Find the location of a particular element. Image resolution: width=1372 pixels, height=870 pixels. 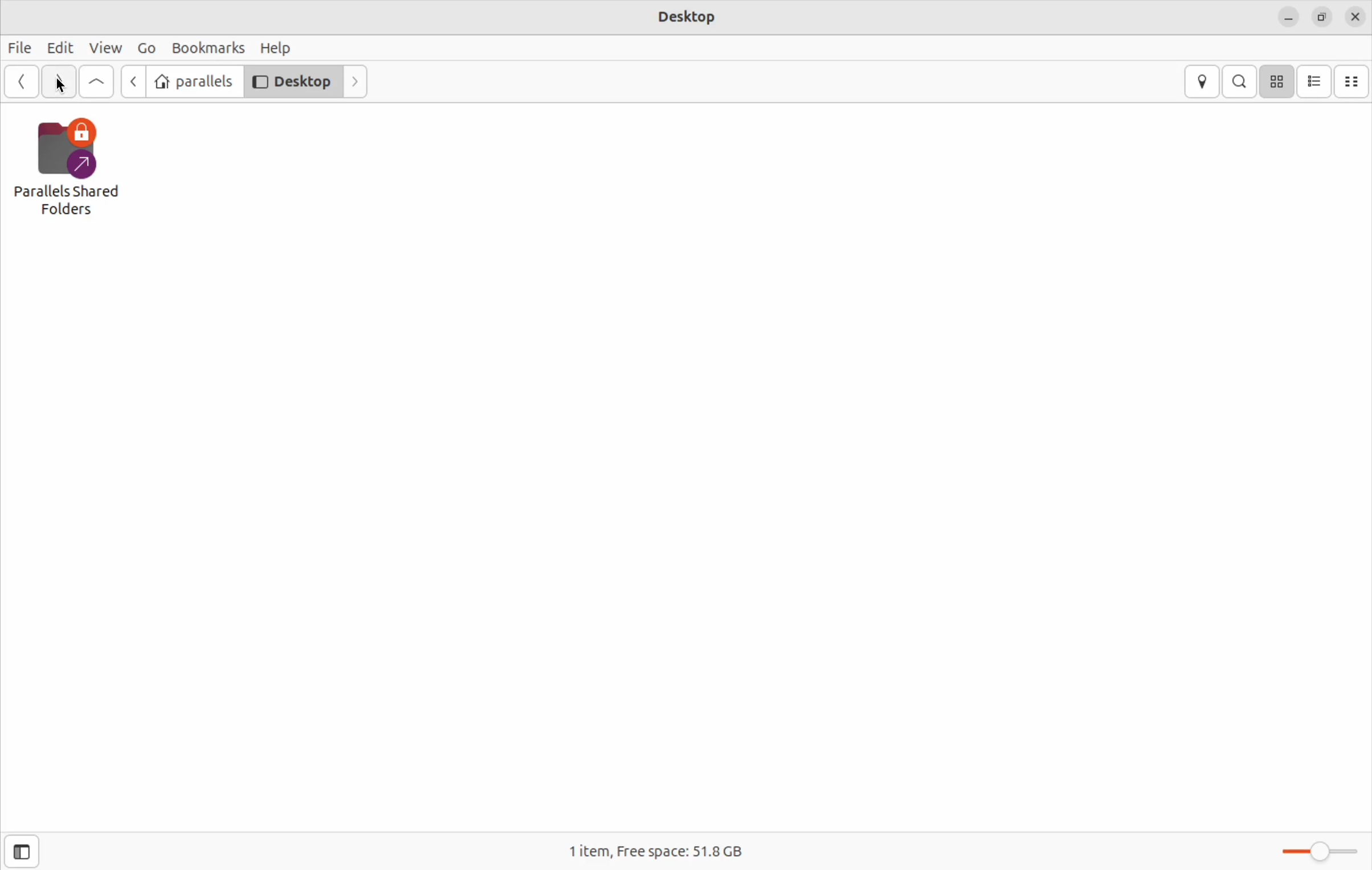

Go forward is located at coordinates (59, 83).